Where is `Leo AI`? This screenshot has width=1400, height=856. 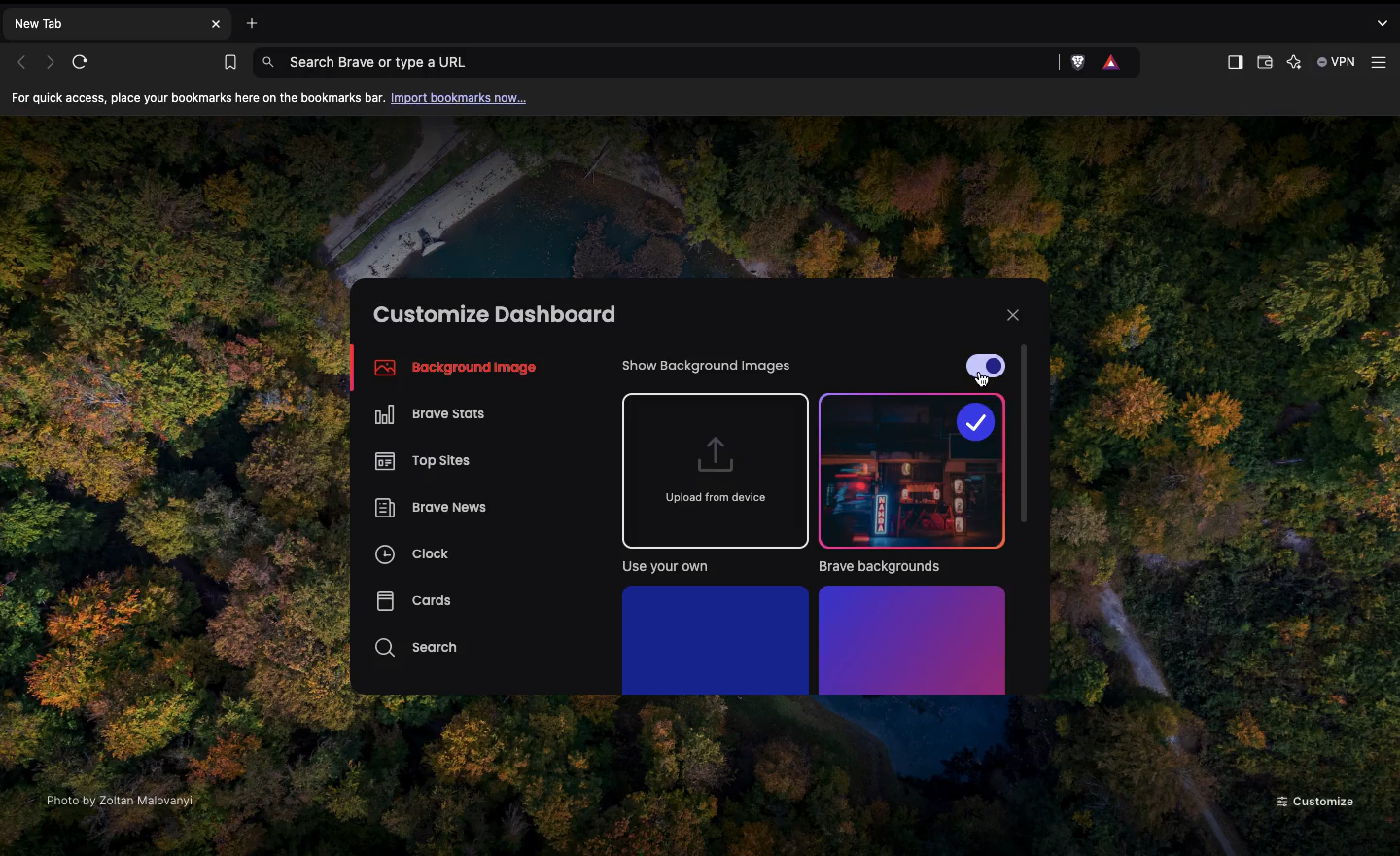 Leo AI is located at coordinates (1293, 64).